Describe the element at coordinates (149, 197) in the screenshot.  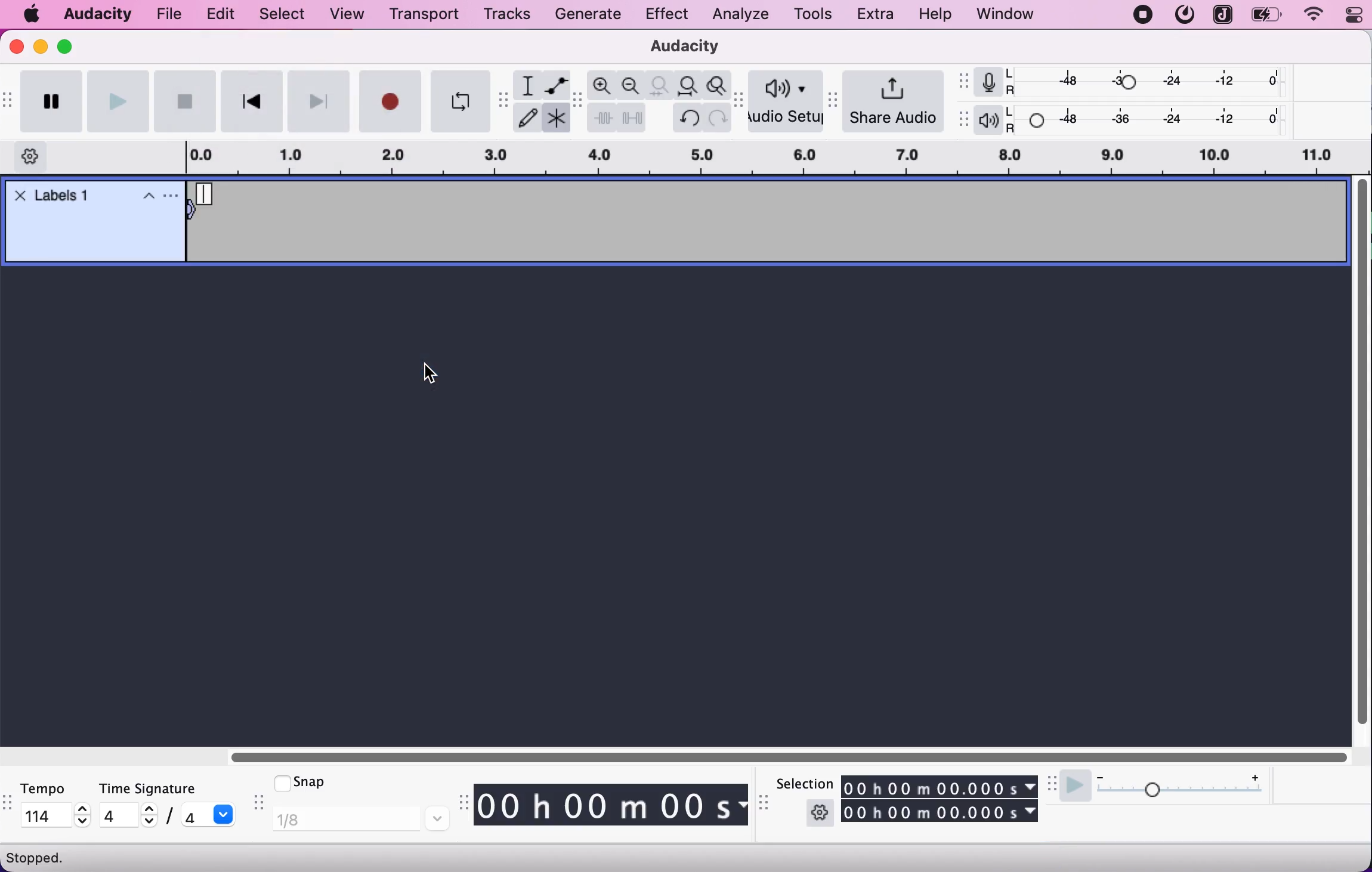
I see `Collapse` at that location.